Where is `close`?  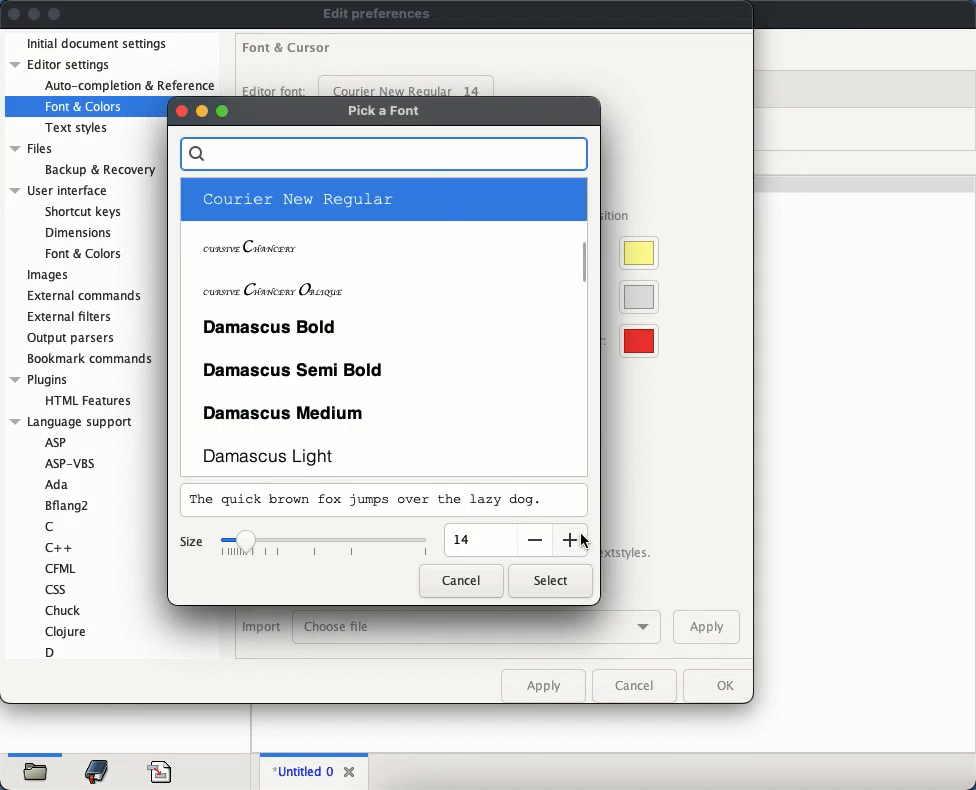
close is located at coordinates (180, 111).